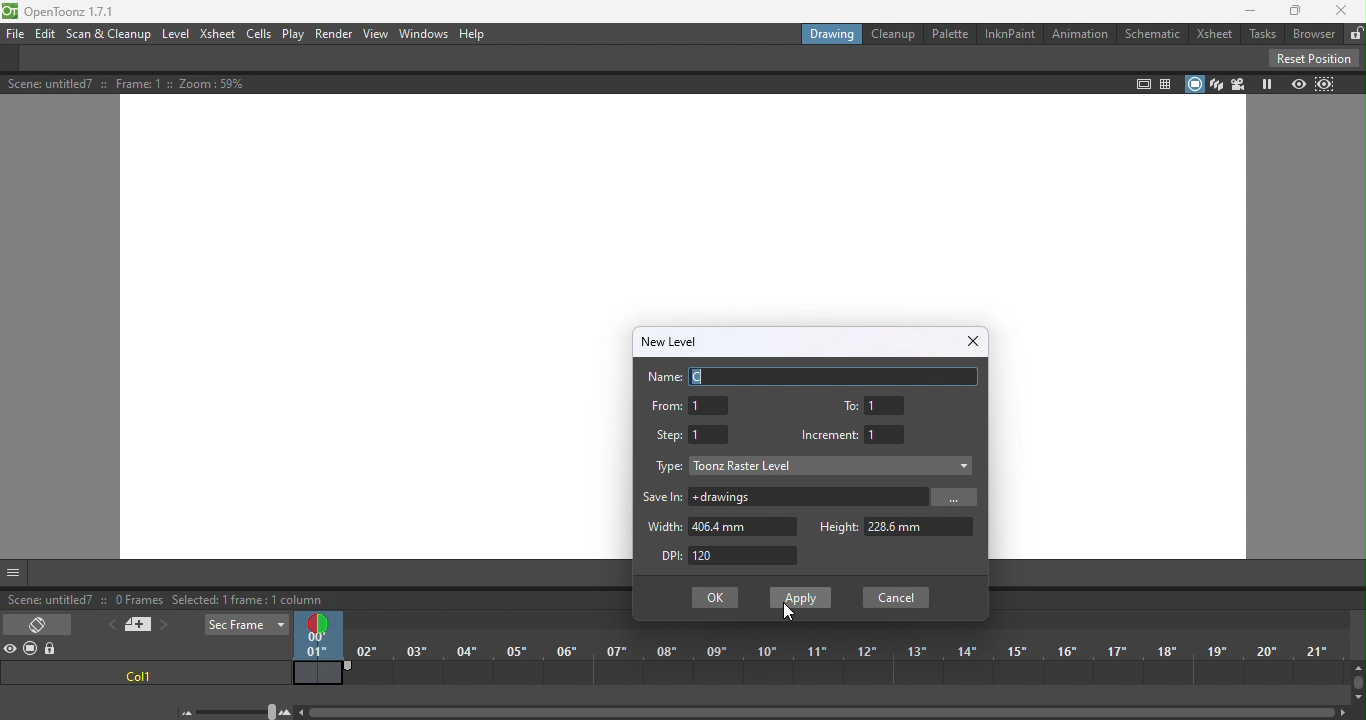  I want to click on Level, so click(174, 35).